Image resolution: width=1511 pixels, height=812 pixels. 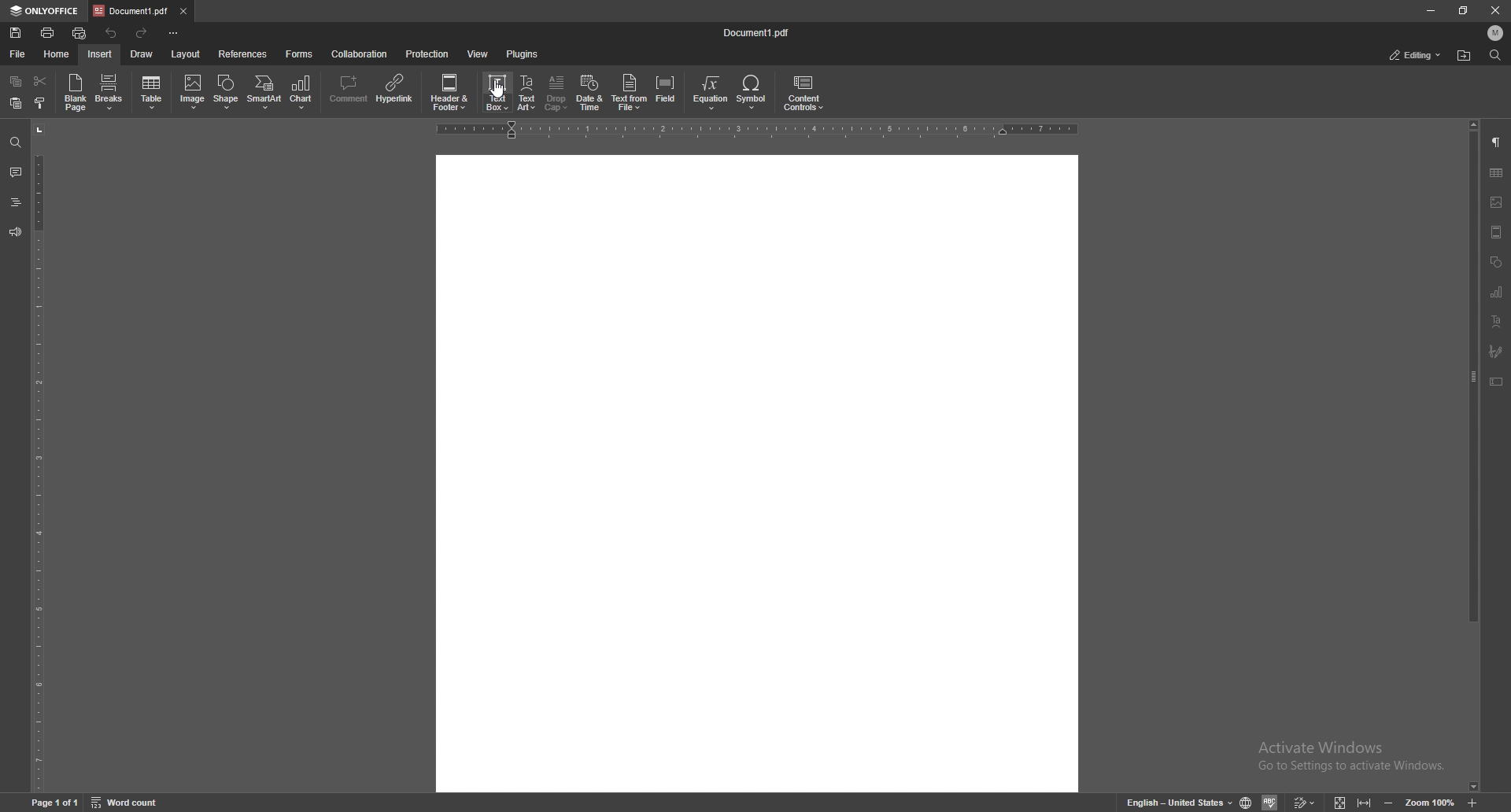 I want to click on table, so click(x=1497, y=173).